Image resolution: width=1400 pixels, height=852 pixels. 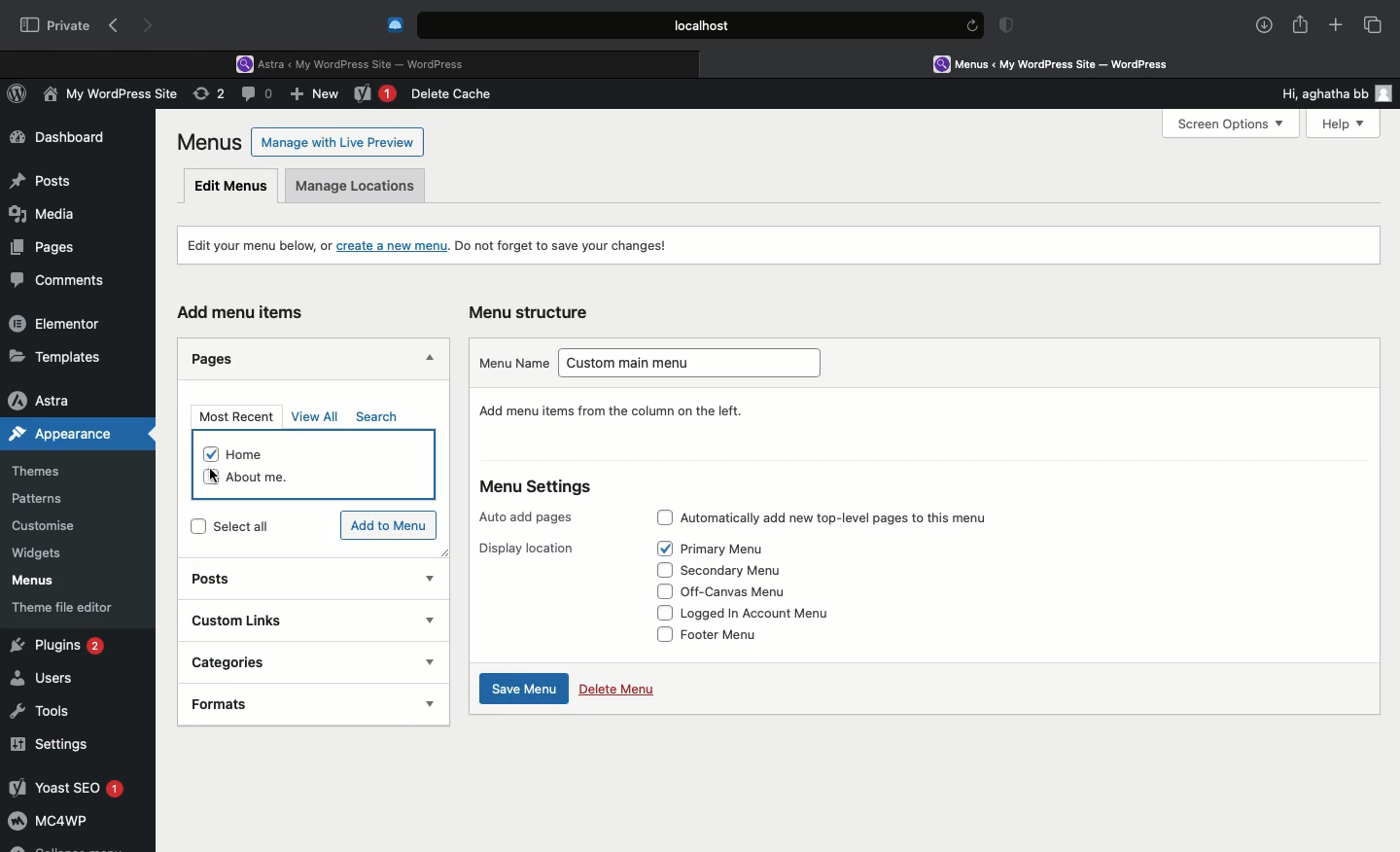 I want to click on Logged in account menu, so click(x=769, y=614).